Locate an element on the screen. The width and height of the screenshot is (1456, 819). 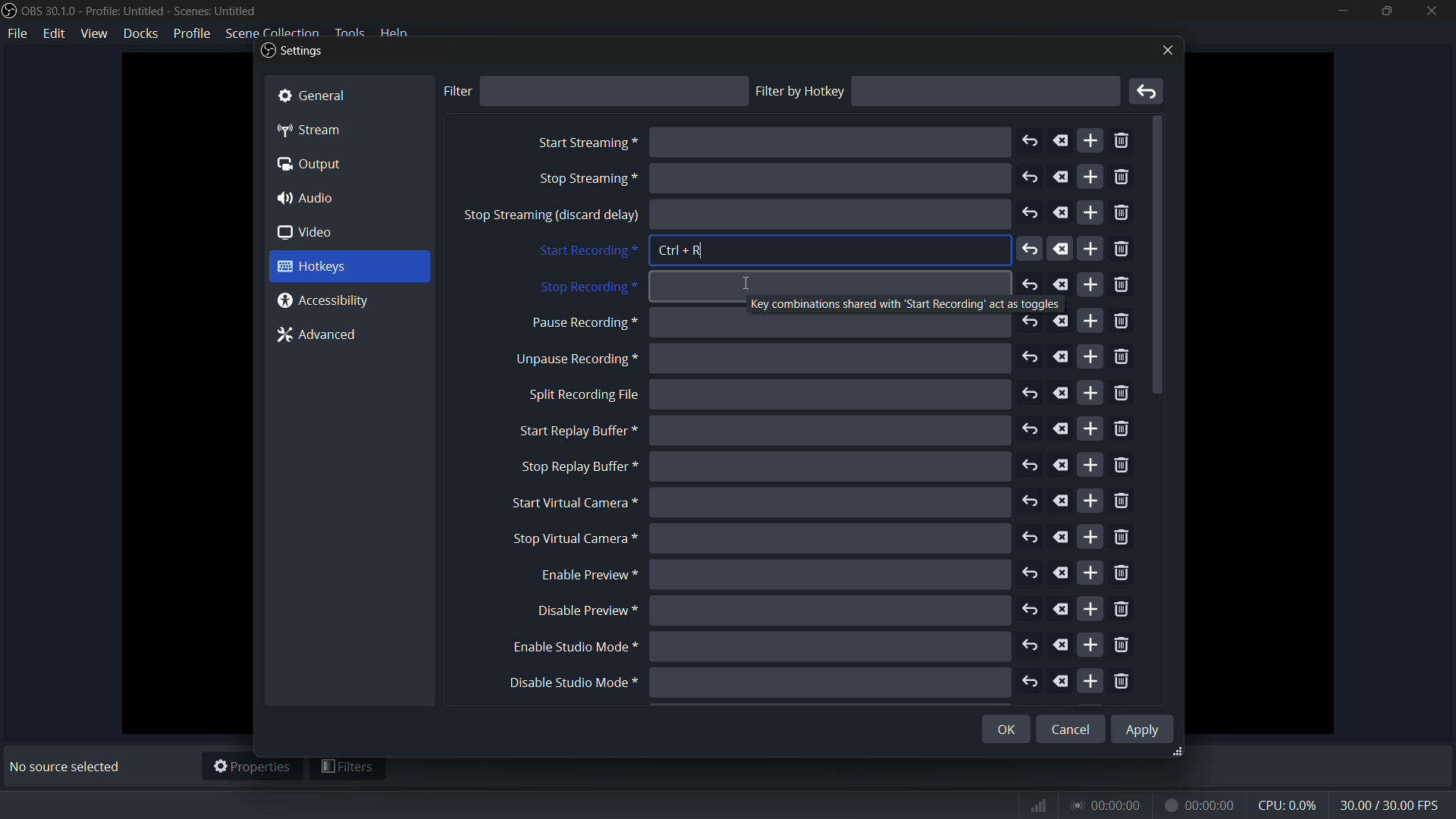
edit menu is located at coordinates (56, 33).